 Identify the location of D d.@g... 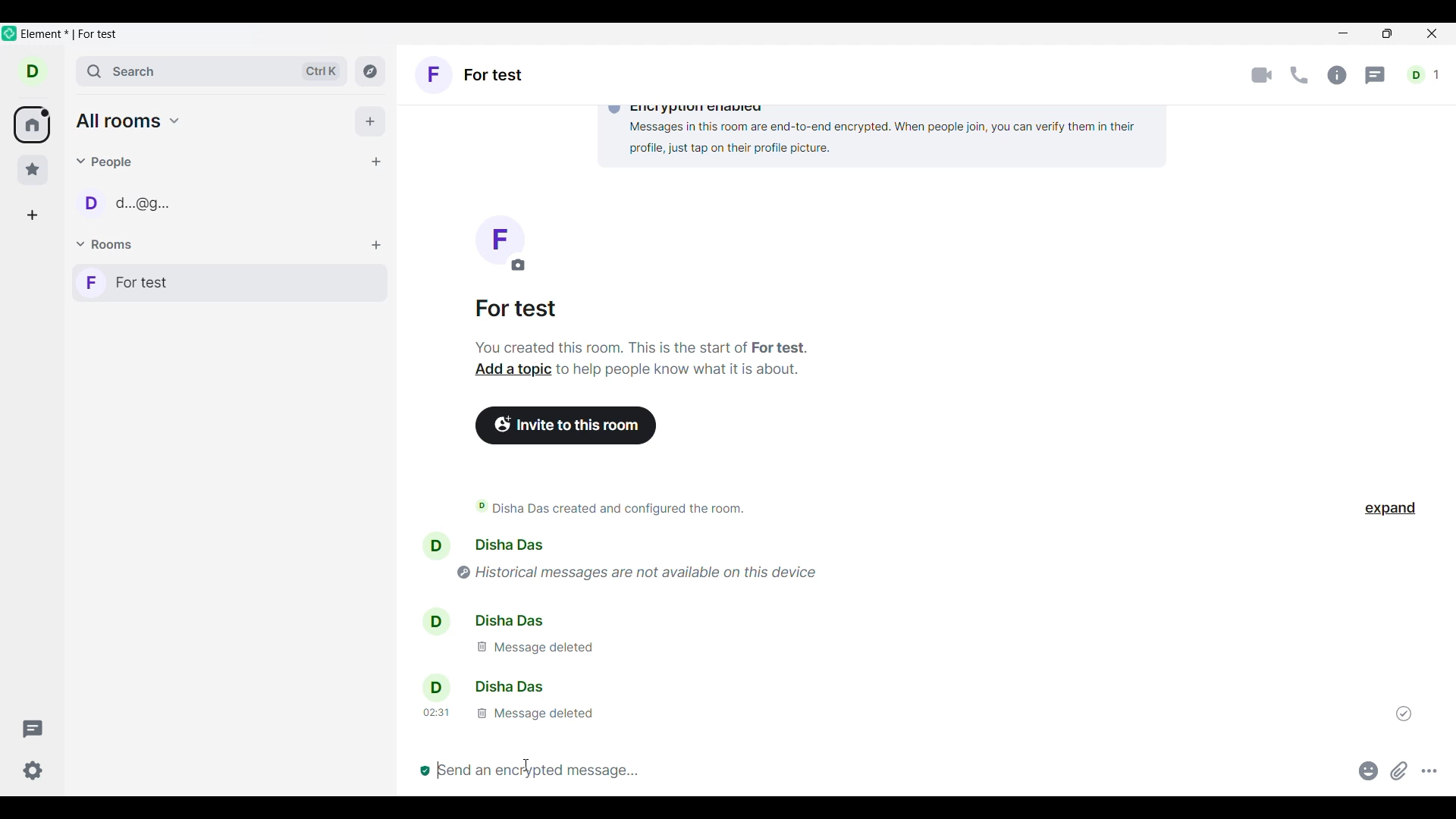
(131, 203).